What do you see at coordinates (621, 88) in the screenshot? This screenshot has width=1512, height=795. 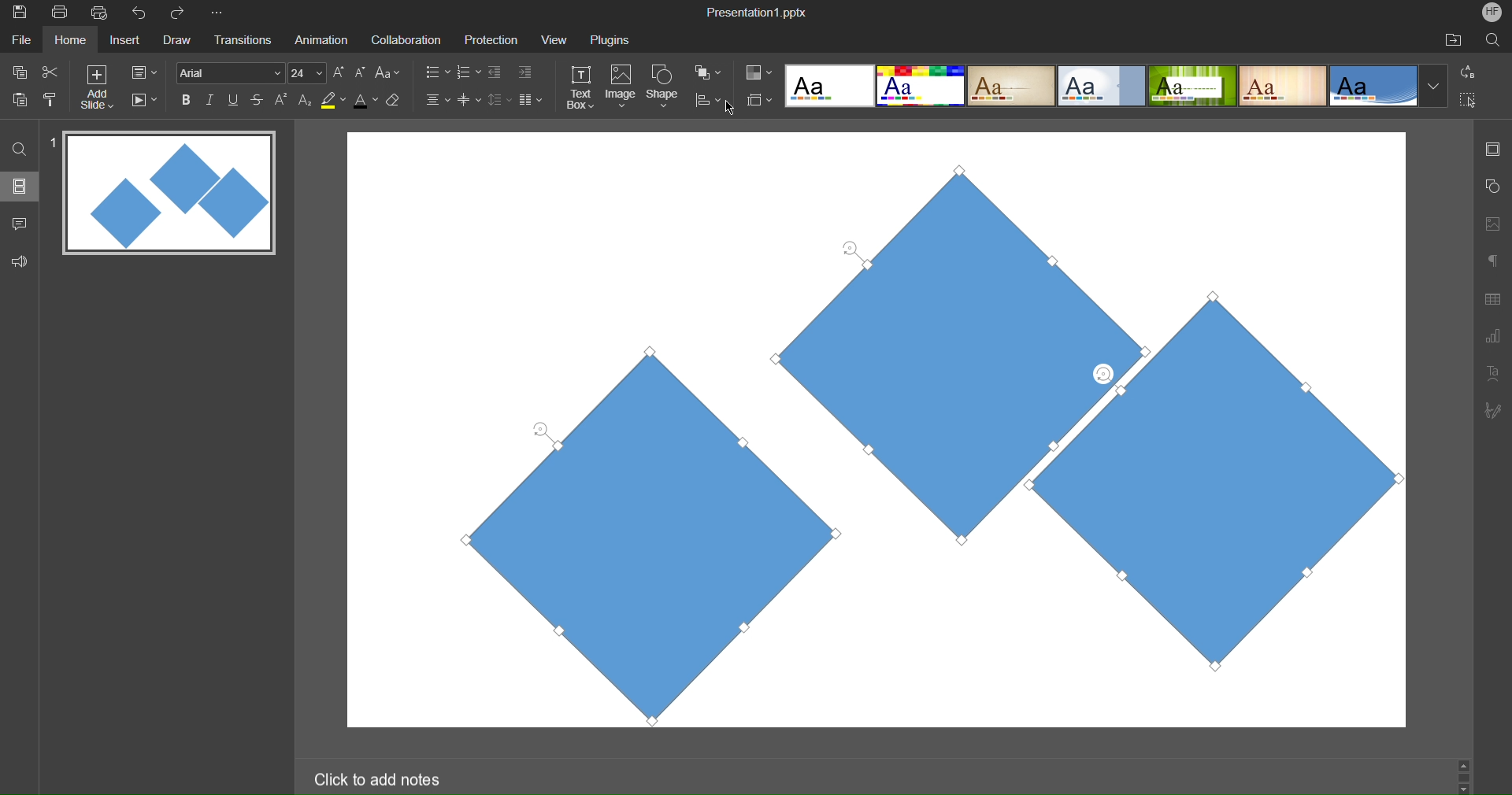 I see `Image` at bounding box center [621, 88].